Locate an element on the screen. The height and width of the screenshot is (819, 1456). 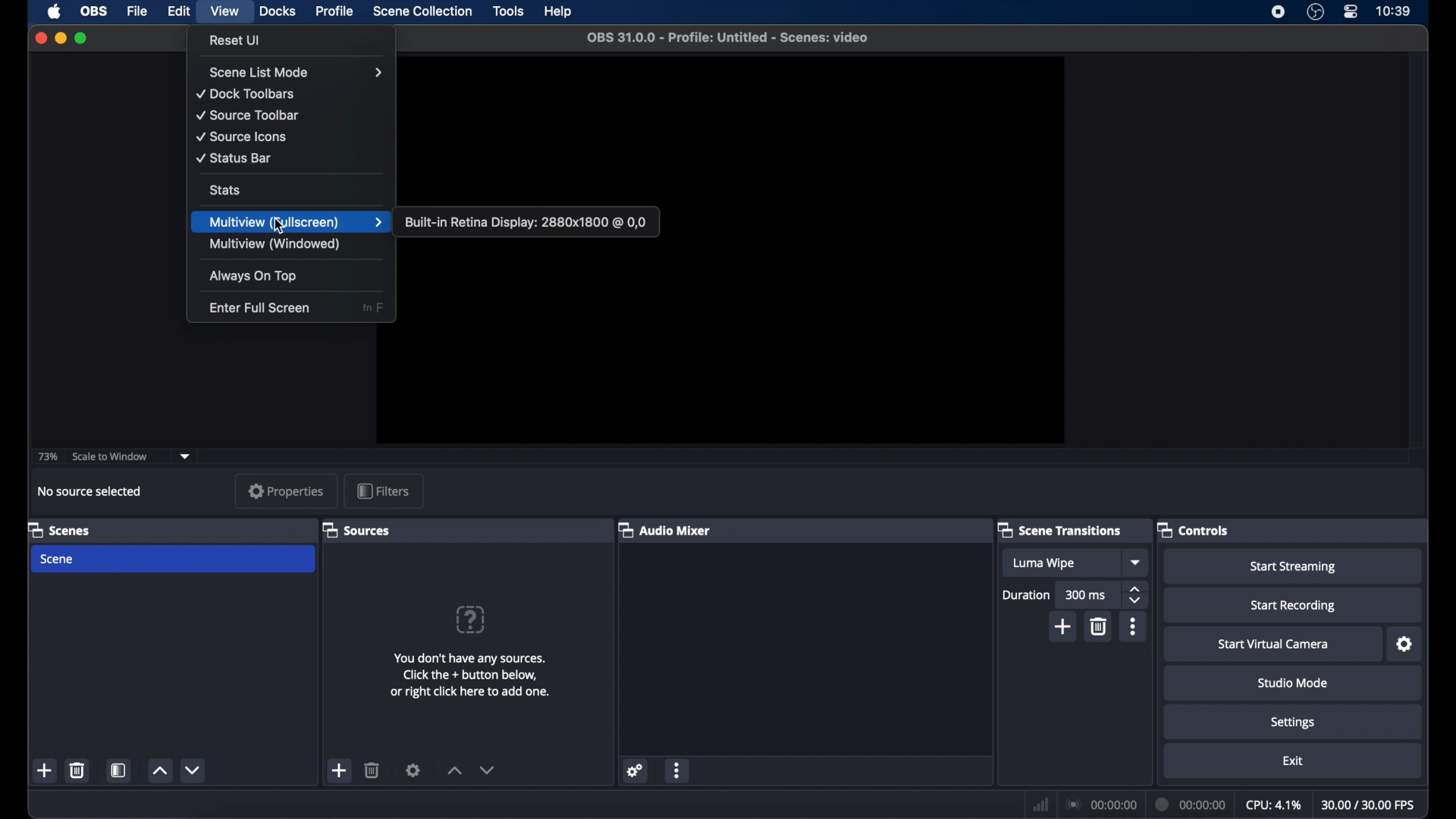
control center is located at coordinates (1351, 12).